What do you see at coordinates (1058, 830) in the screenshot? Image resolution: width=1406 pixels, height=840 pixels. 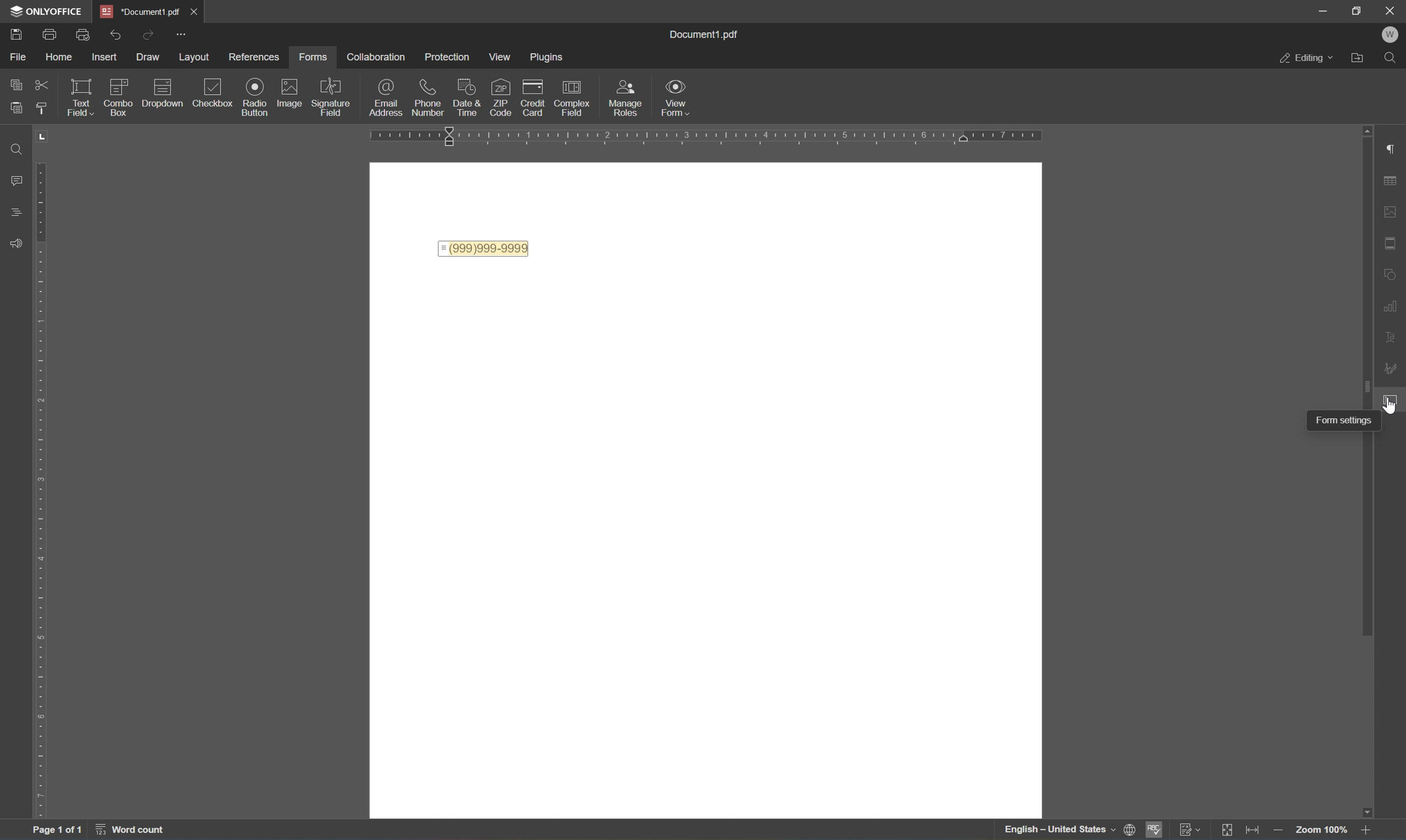 I see `english - united states` at bounding box center [1058, 830].